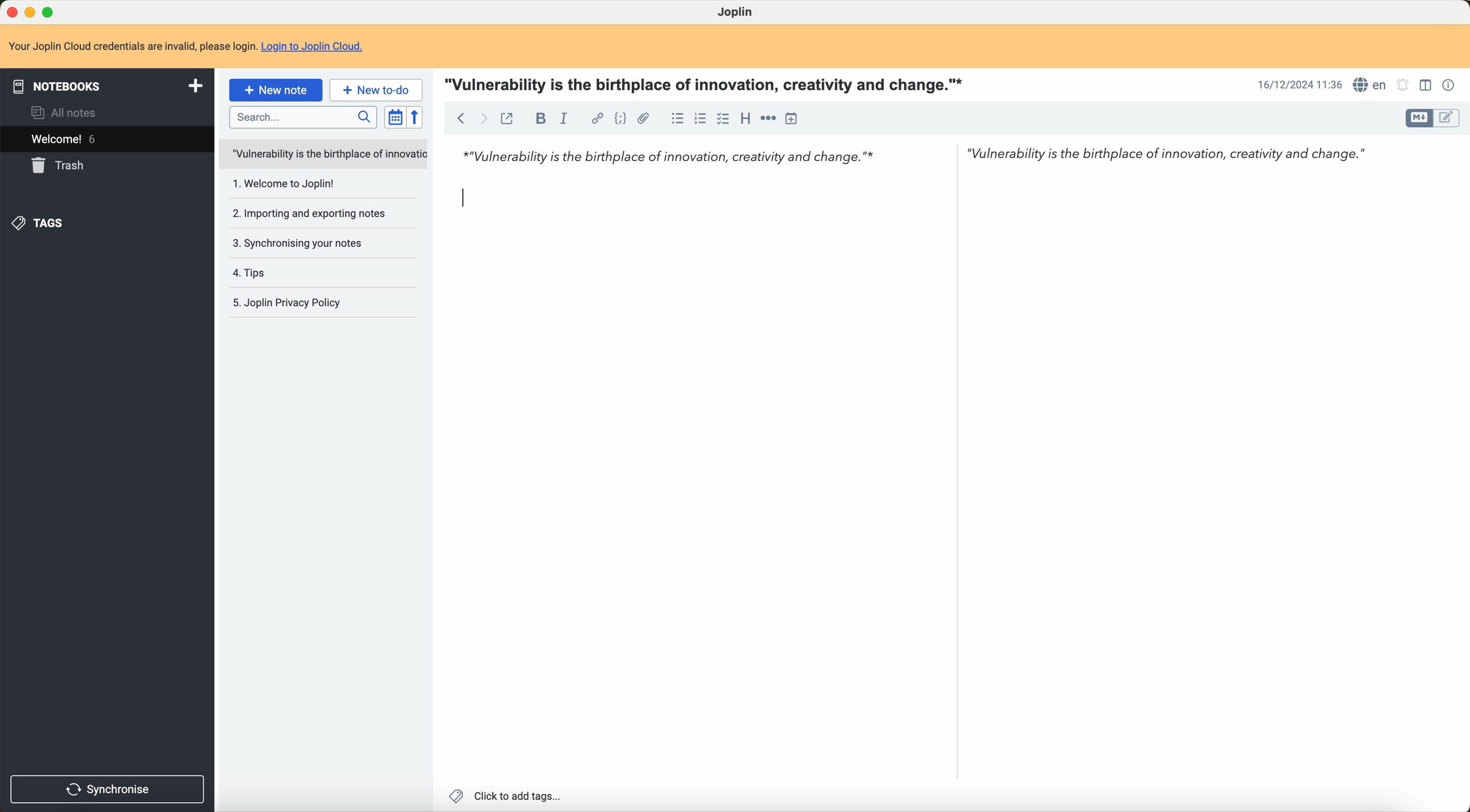 The height and width of the screenshot is (812, 1470). What do you see at coordinates (768, 118) in the screenshot?
I see `horizontal rule` at bounding box center [768, 118].